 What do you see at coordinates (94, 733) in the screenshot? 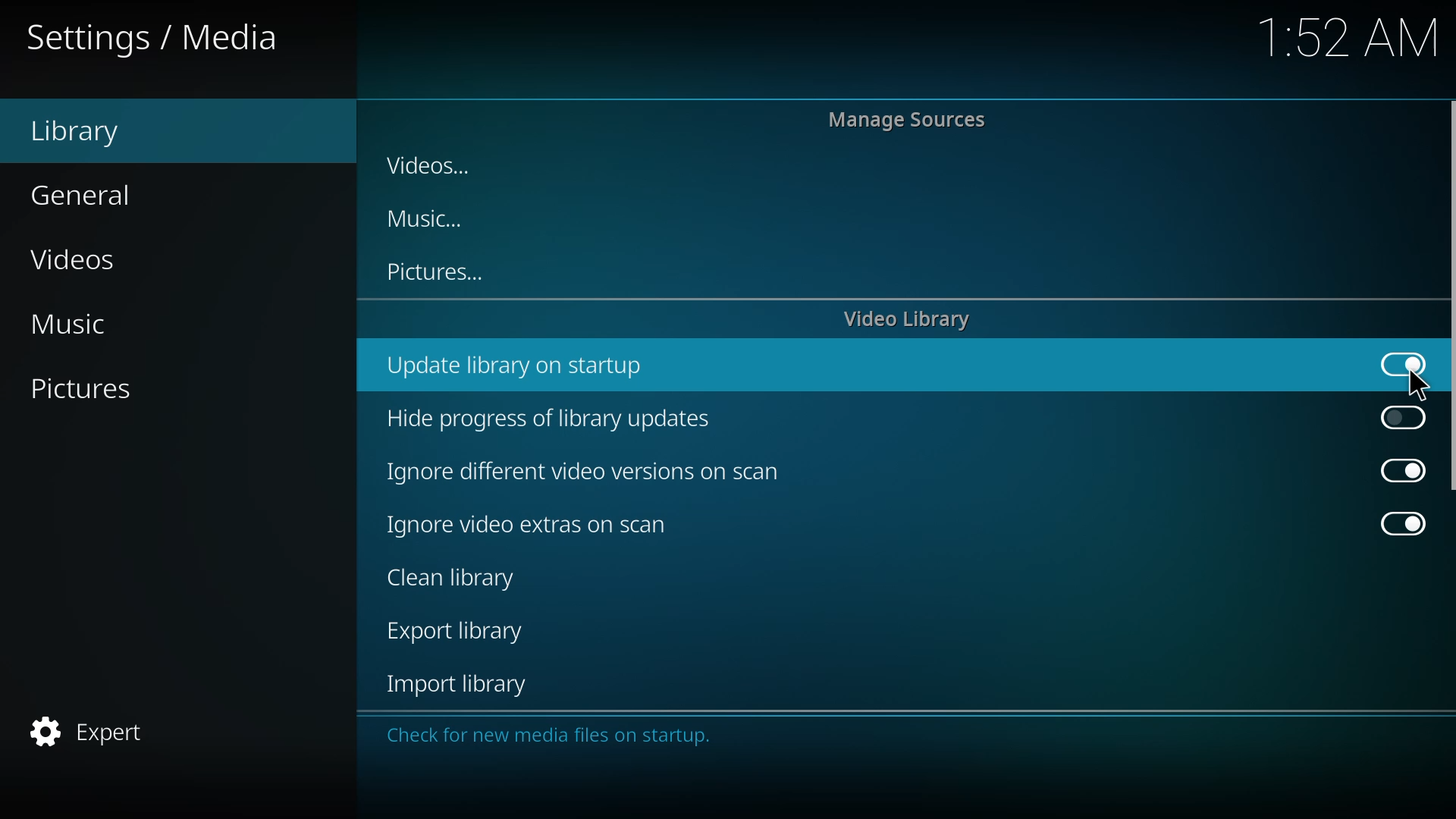
I see `expert` at bounding box center [94, 733].